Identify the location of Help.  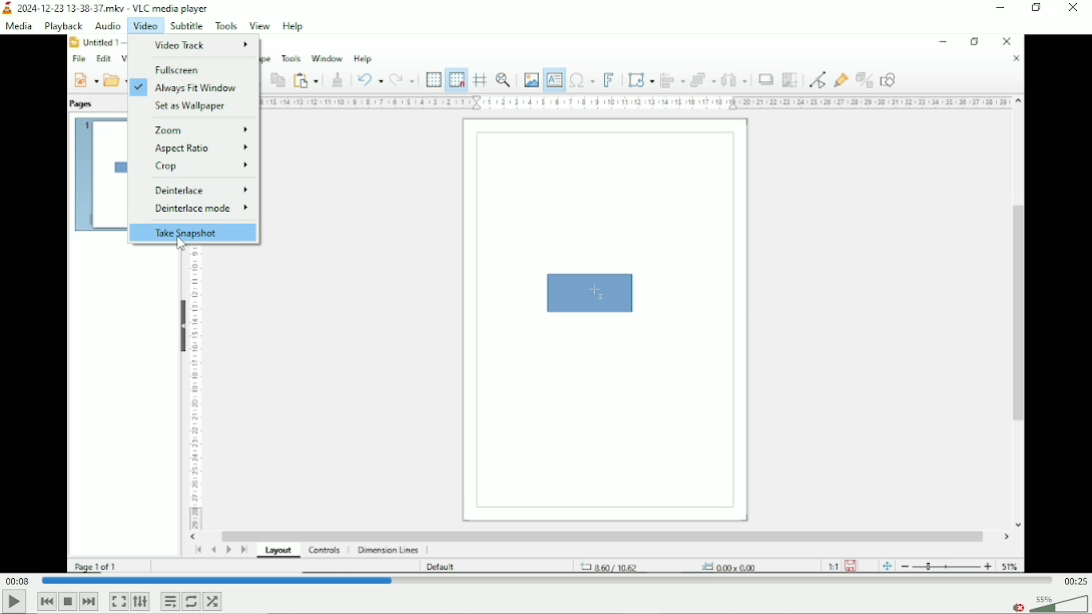
(294, 26).